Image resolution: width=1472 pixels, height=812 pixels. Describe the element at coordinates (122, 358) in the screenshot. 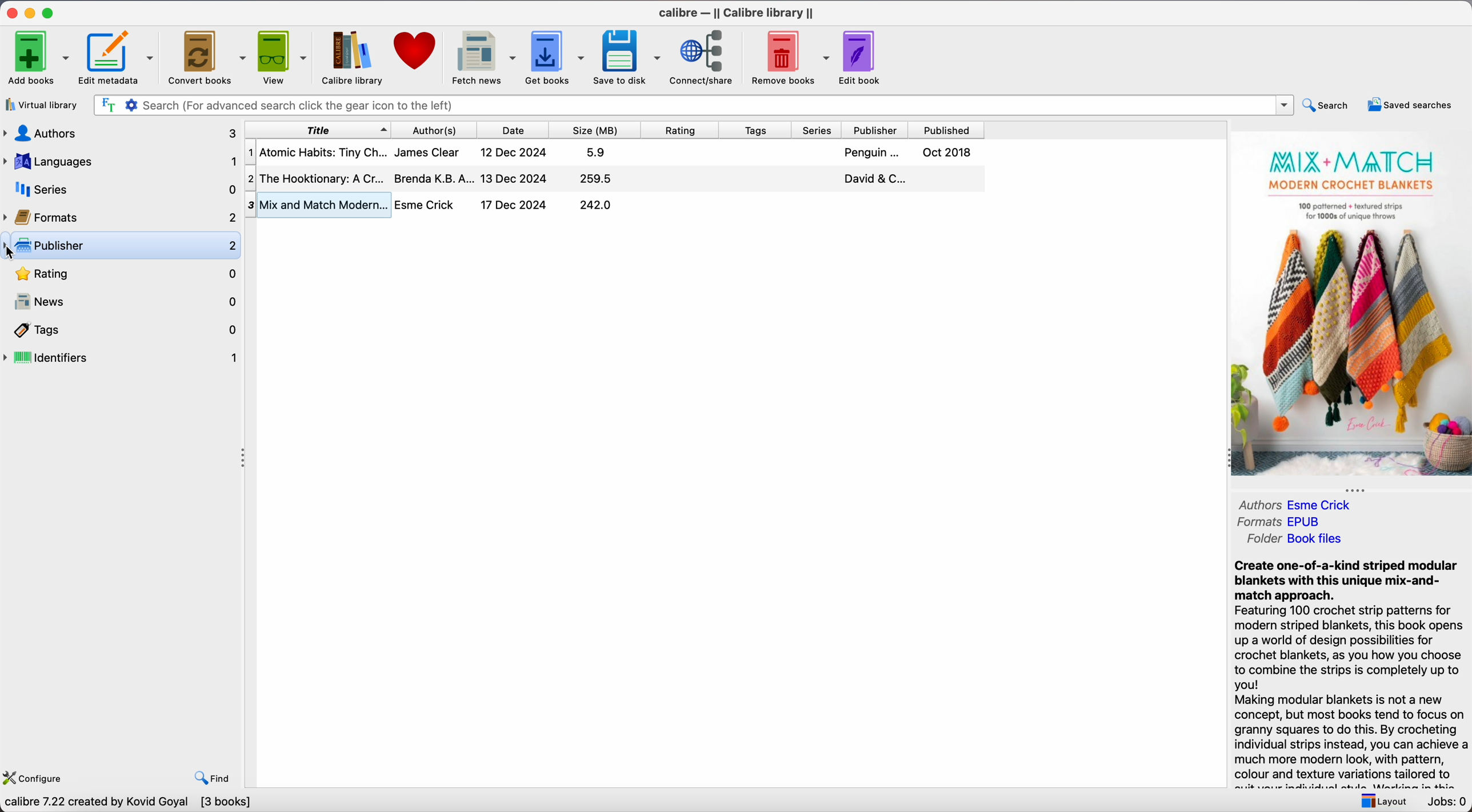

I see `identifiers` at that location.